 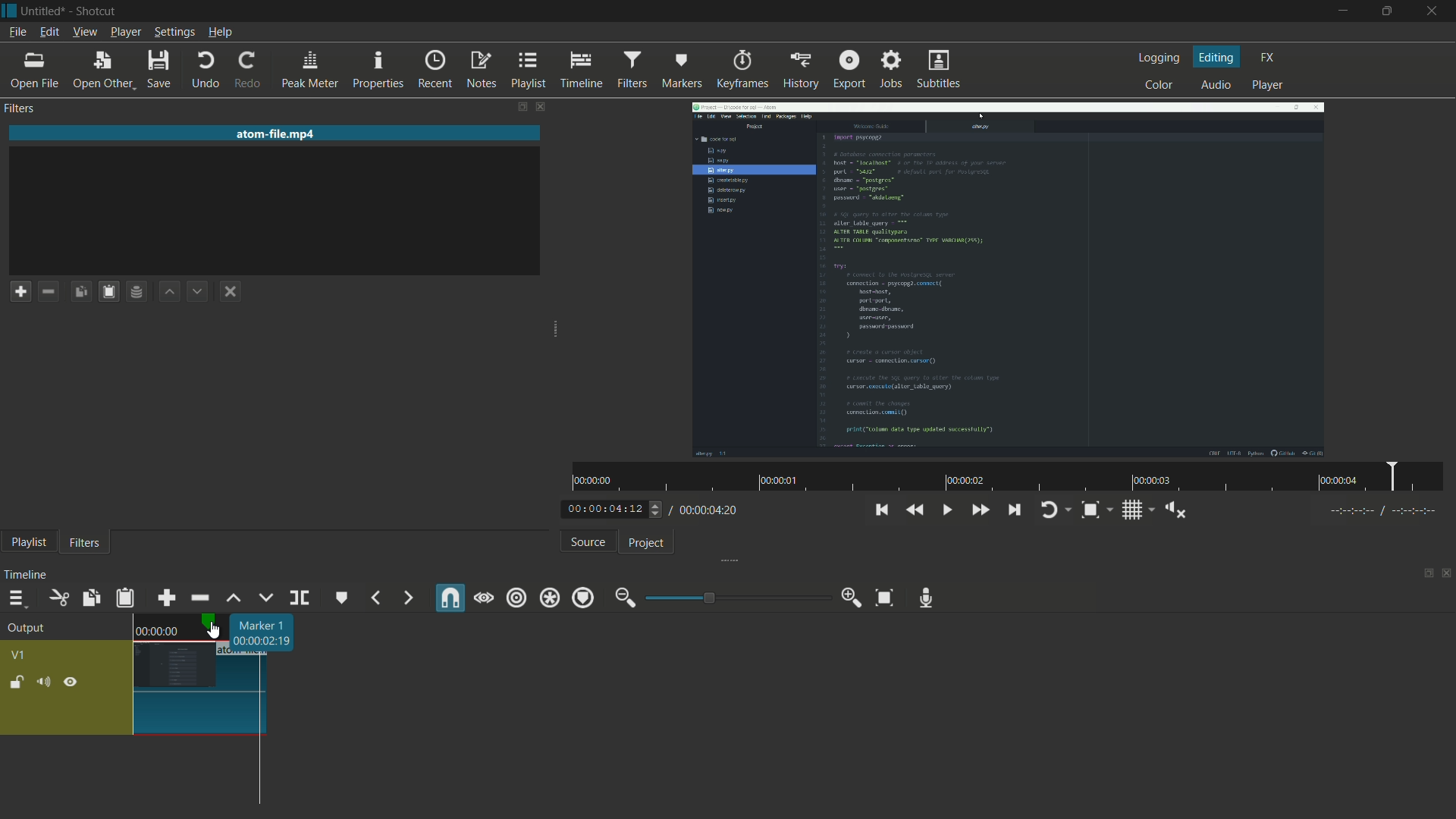 What do you see at coordinates (157, 632) in the screenshot?
I see `time` at bounding box center [157, 632].